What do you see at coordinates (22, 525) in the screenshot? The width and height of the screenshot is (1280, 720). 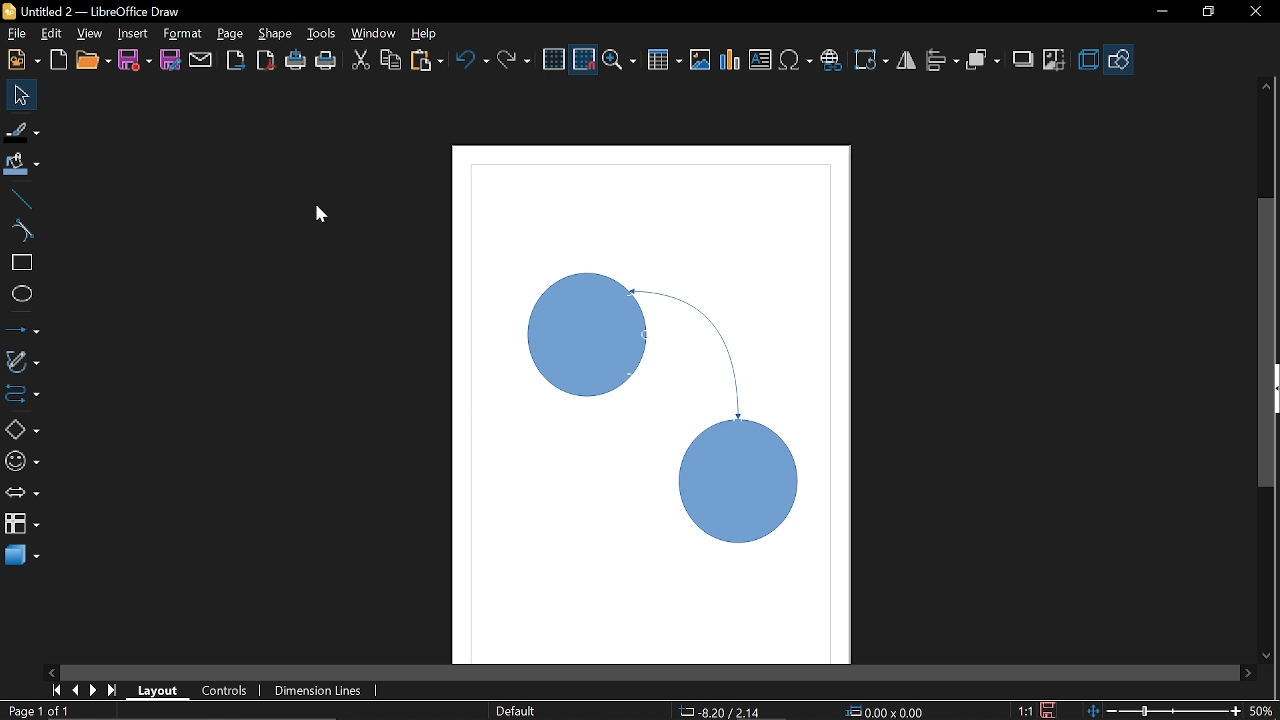 I see `FLowchart` at bounding box center [22, 525].